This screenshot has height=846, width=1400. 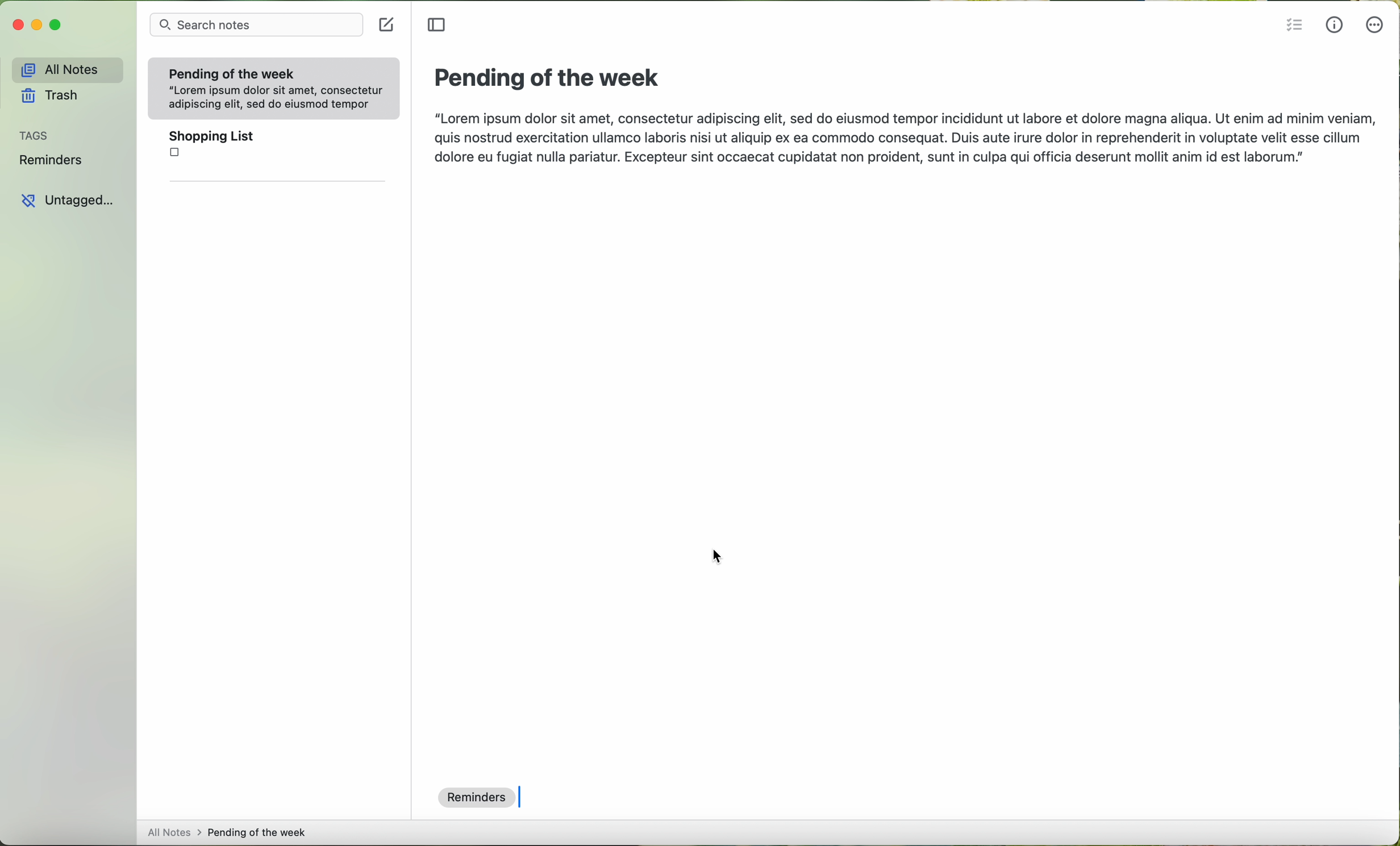 I want to click on search bar, so click(x=260, y=26).